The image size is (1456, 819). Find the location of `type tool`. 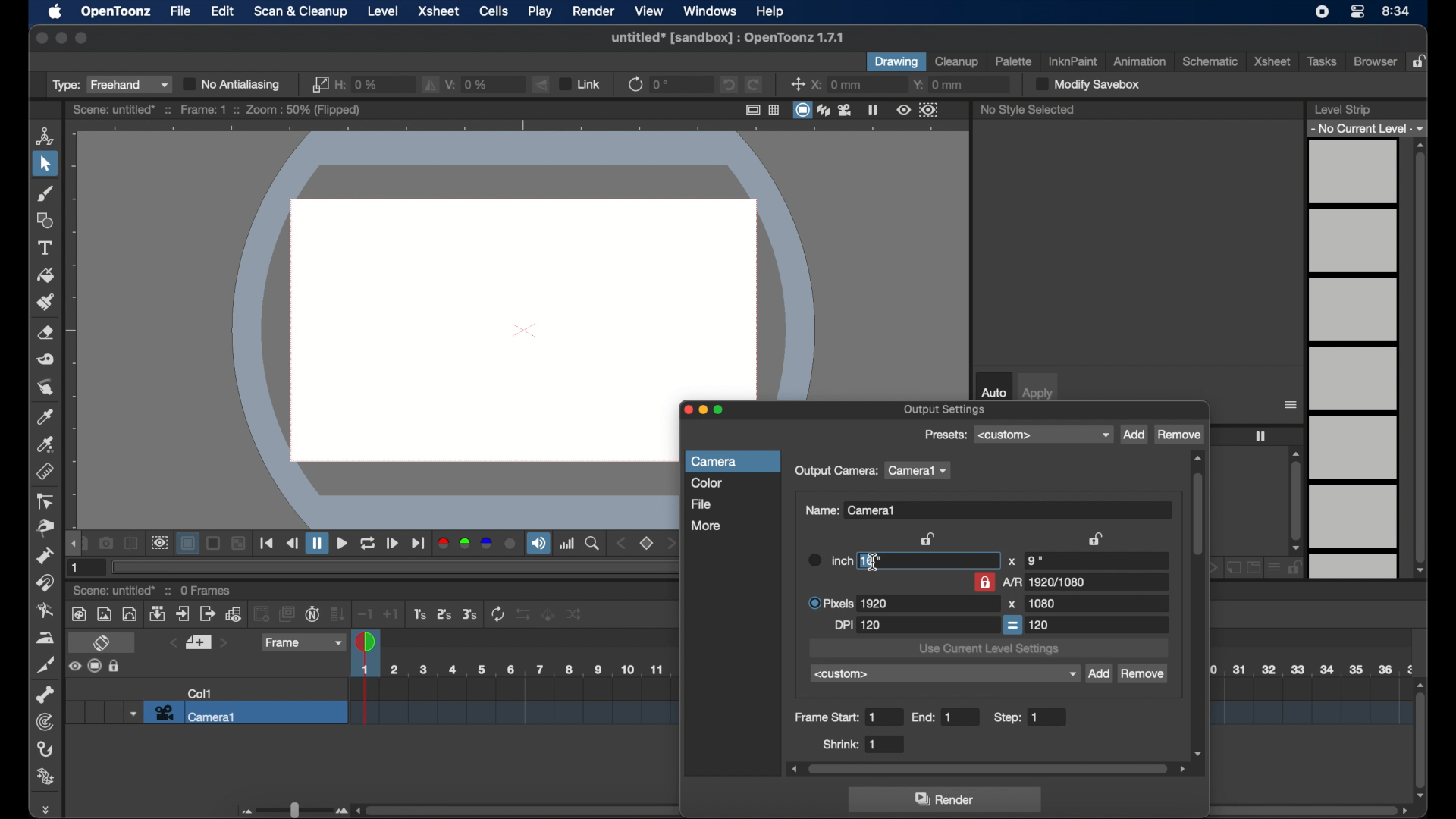

type tool is located at coordinates (46, 248).